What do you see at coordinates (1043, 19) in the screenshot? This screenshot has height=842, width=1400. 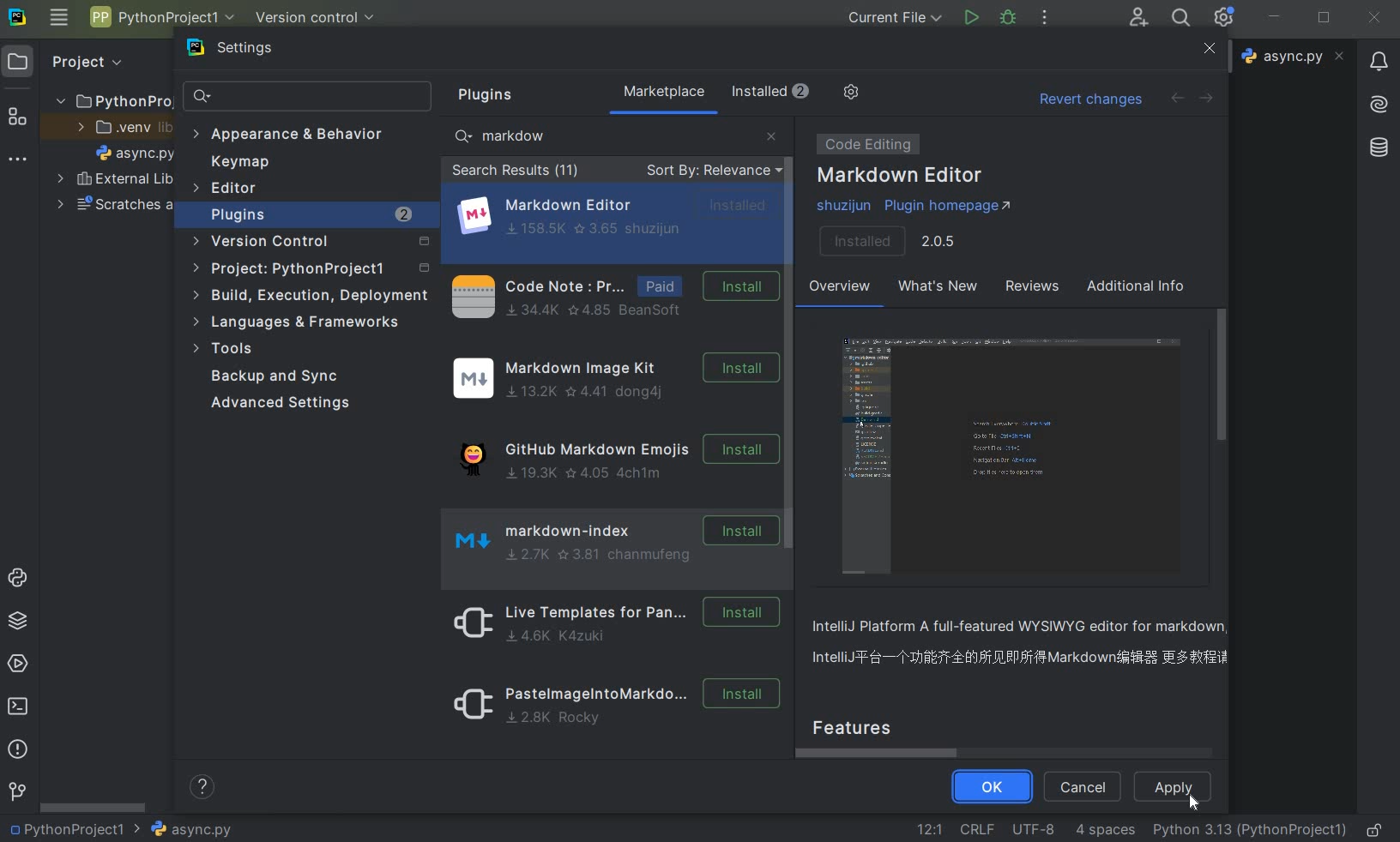 I see `more actions` at bounding box center [1043, 19].